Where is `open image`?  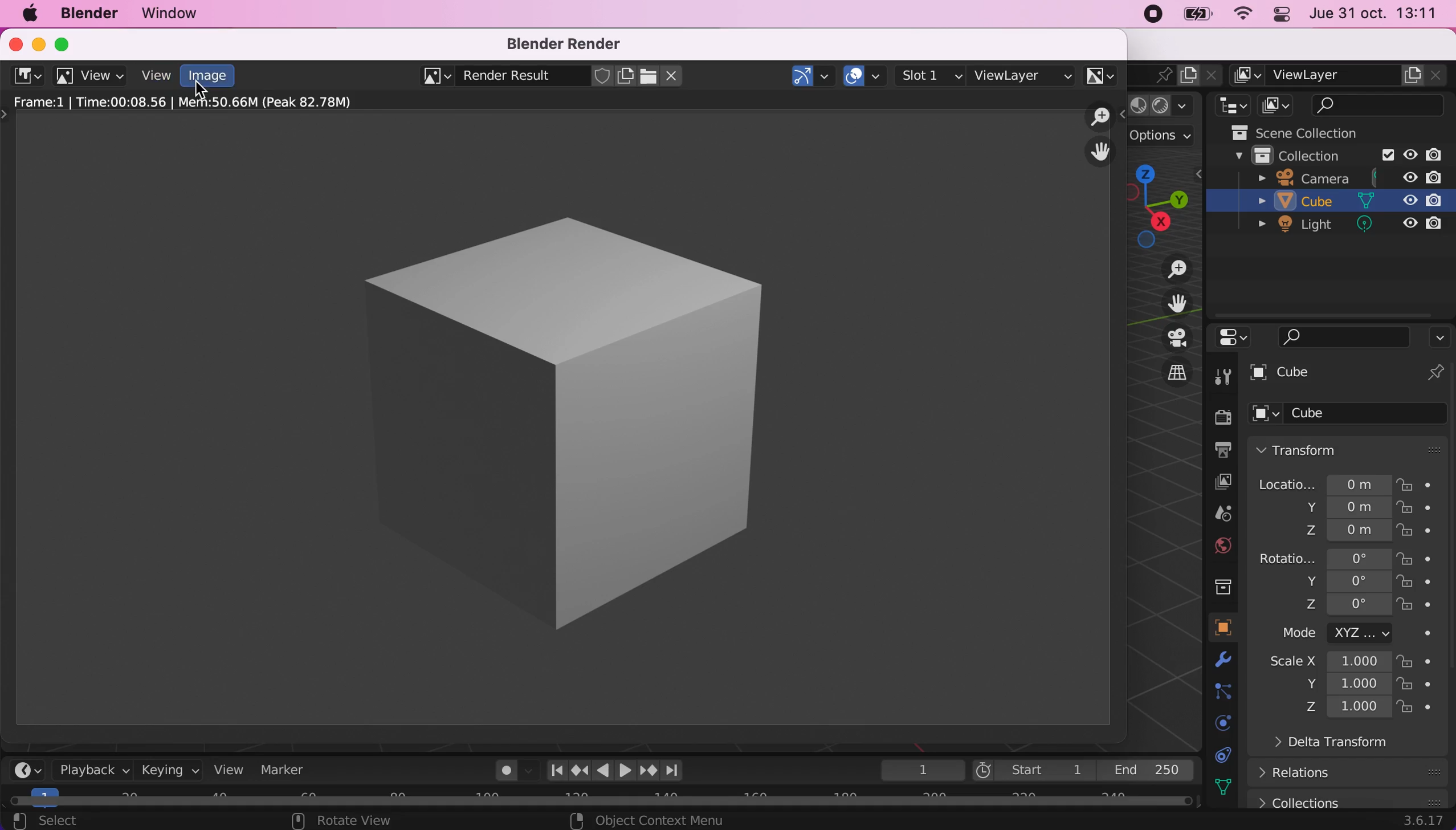 open image is located at coordinates (647, 76).